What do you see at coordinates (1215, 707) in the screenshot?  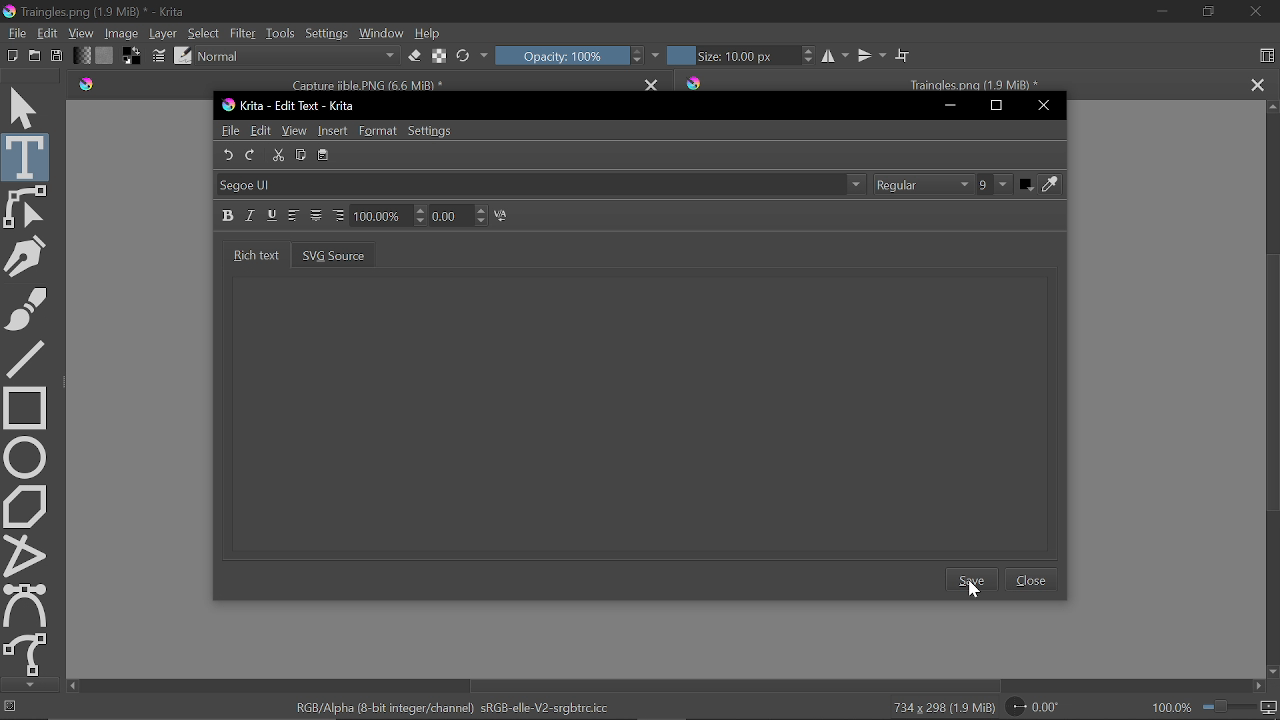 I see `100.0%` at bounding box center [1215, 707].